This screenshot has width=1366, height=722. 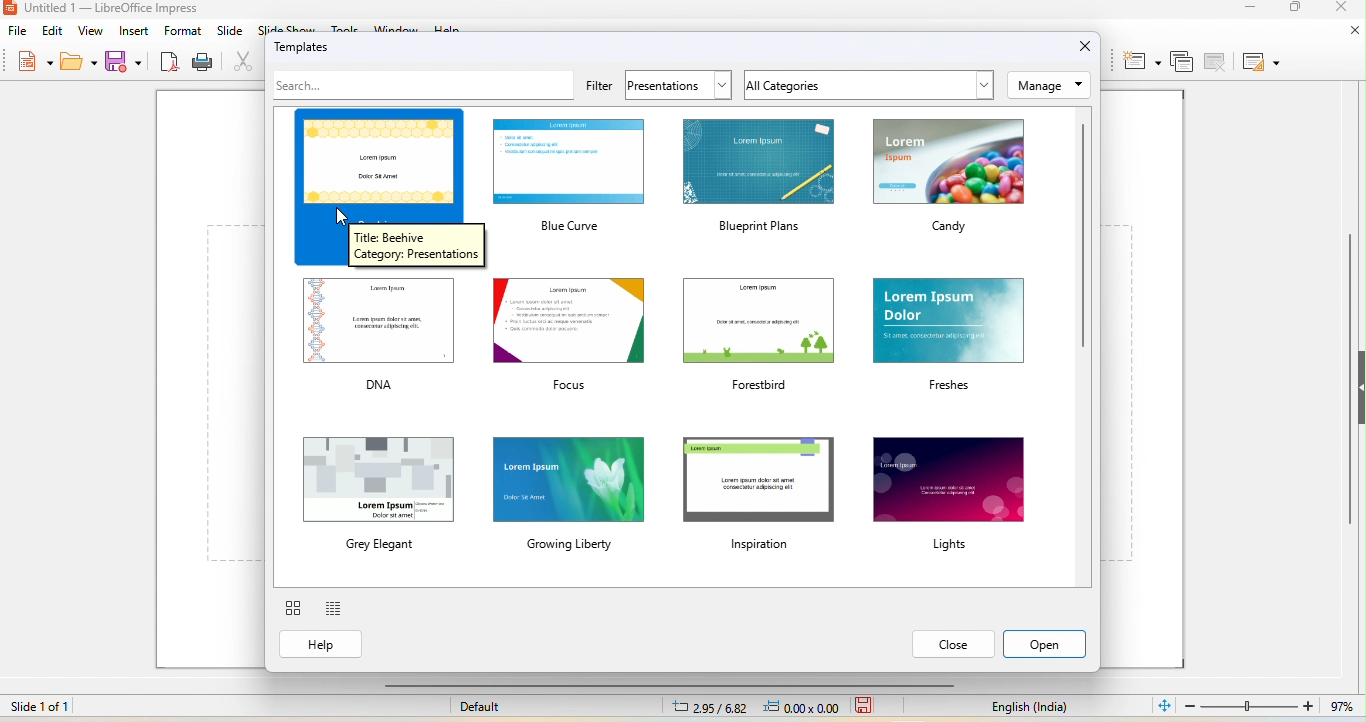 What do you see at coordinates (247, 62) in the screenshot?
I see `cut` at bounding box center [247, 62].